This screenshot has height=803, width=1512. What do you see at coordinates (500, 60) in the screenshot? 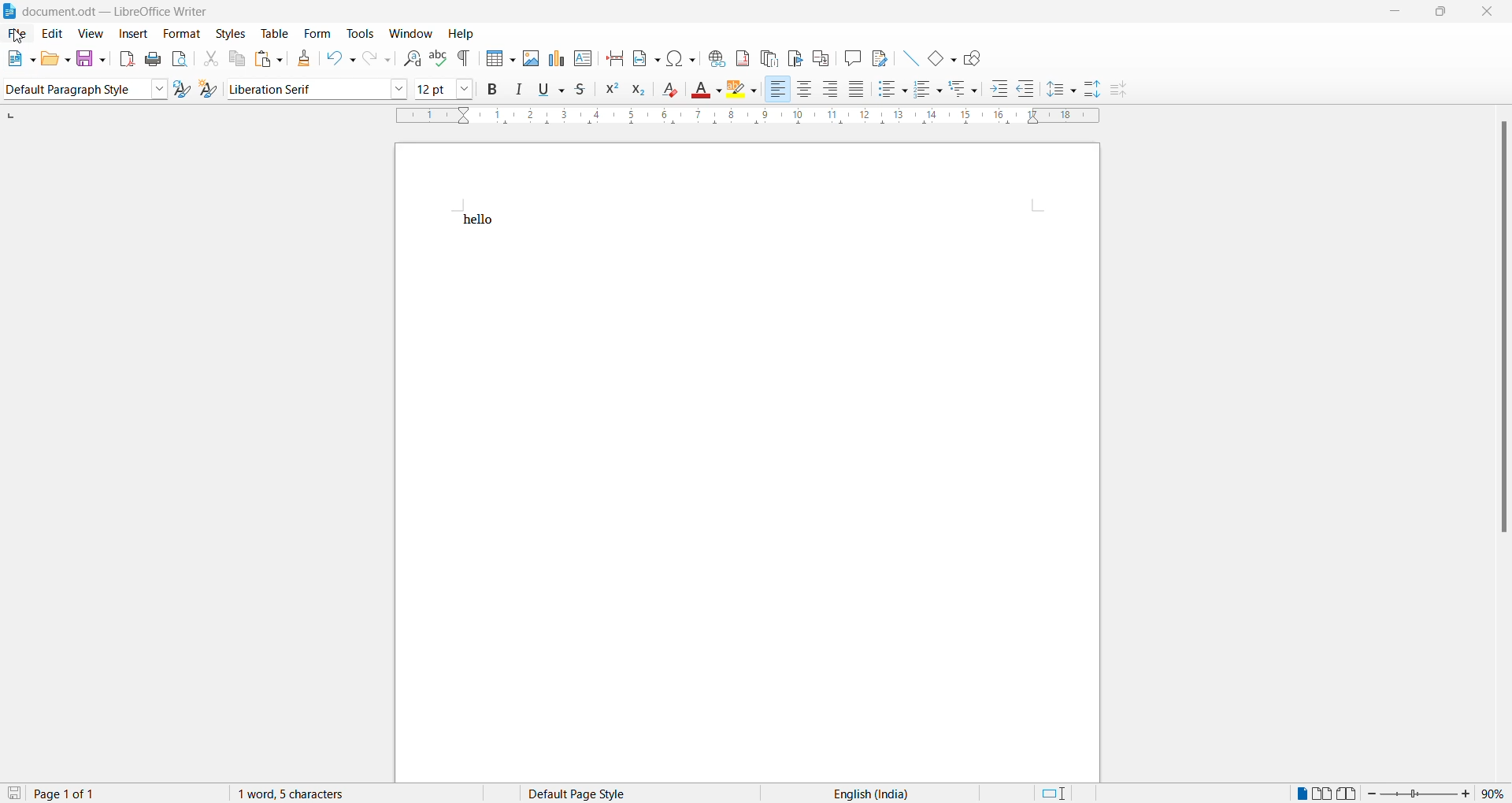
I see `Insert table` at bounding box center [500, 60].